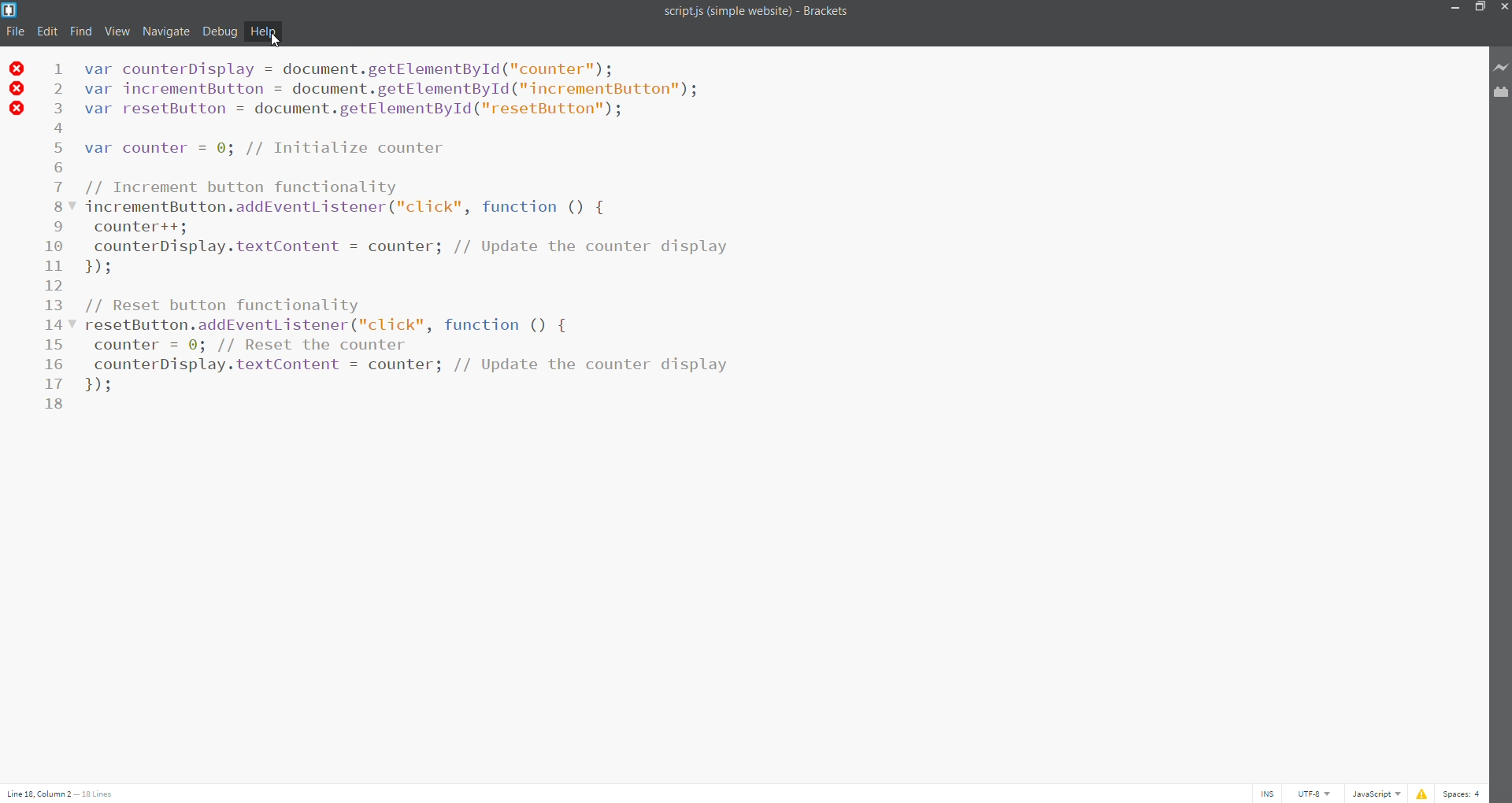 The height and width of the screenshot is (803, 1512). I want to click on debug, so click(220, 31).